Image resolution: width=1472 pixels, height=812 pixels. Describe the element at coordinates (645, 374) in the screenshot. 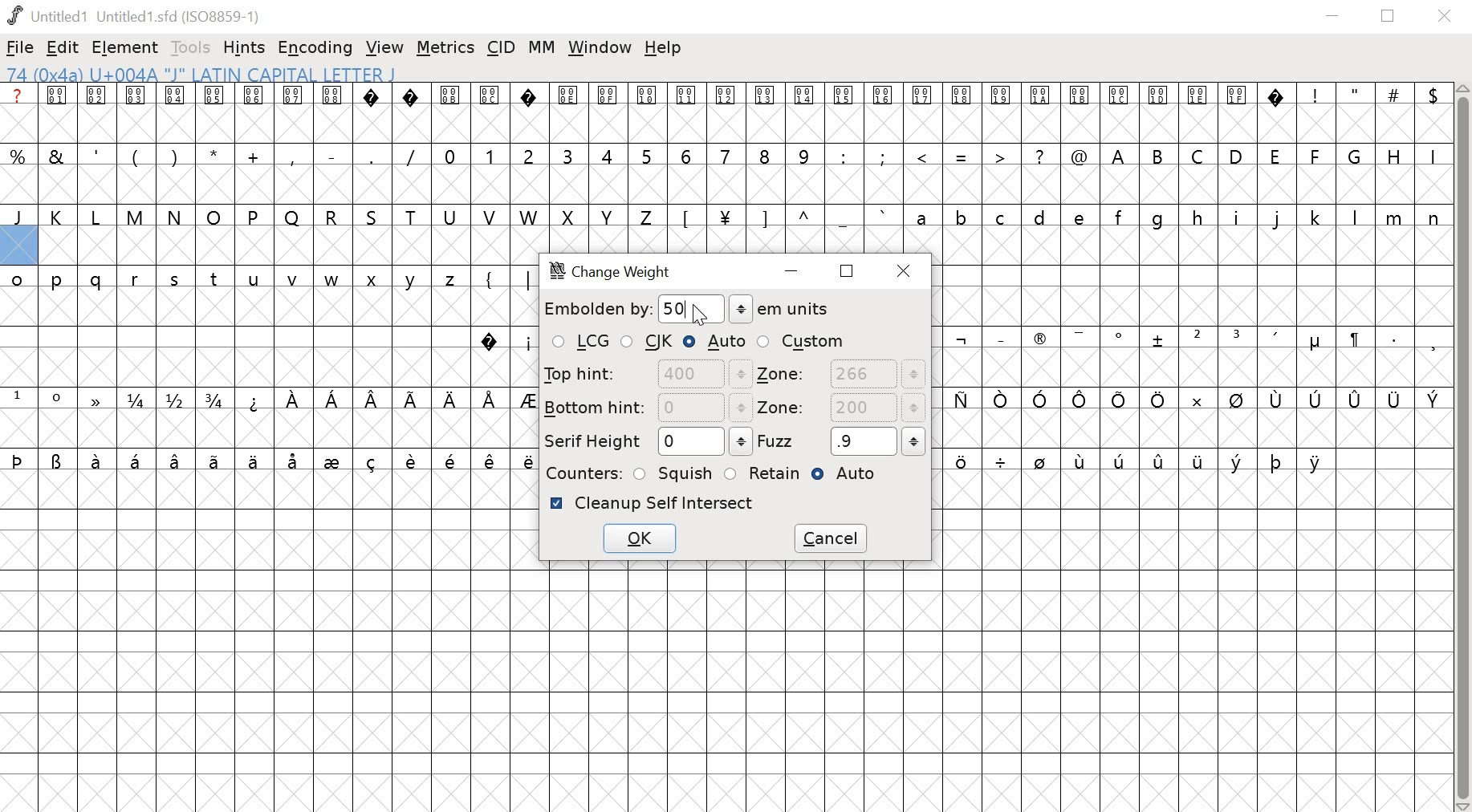

I see `TOP HINT` at that location.